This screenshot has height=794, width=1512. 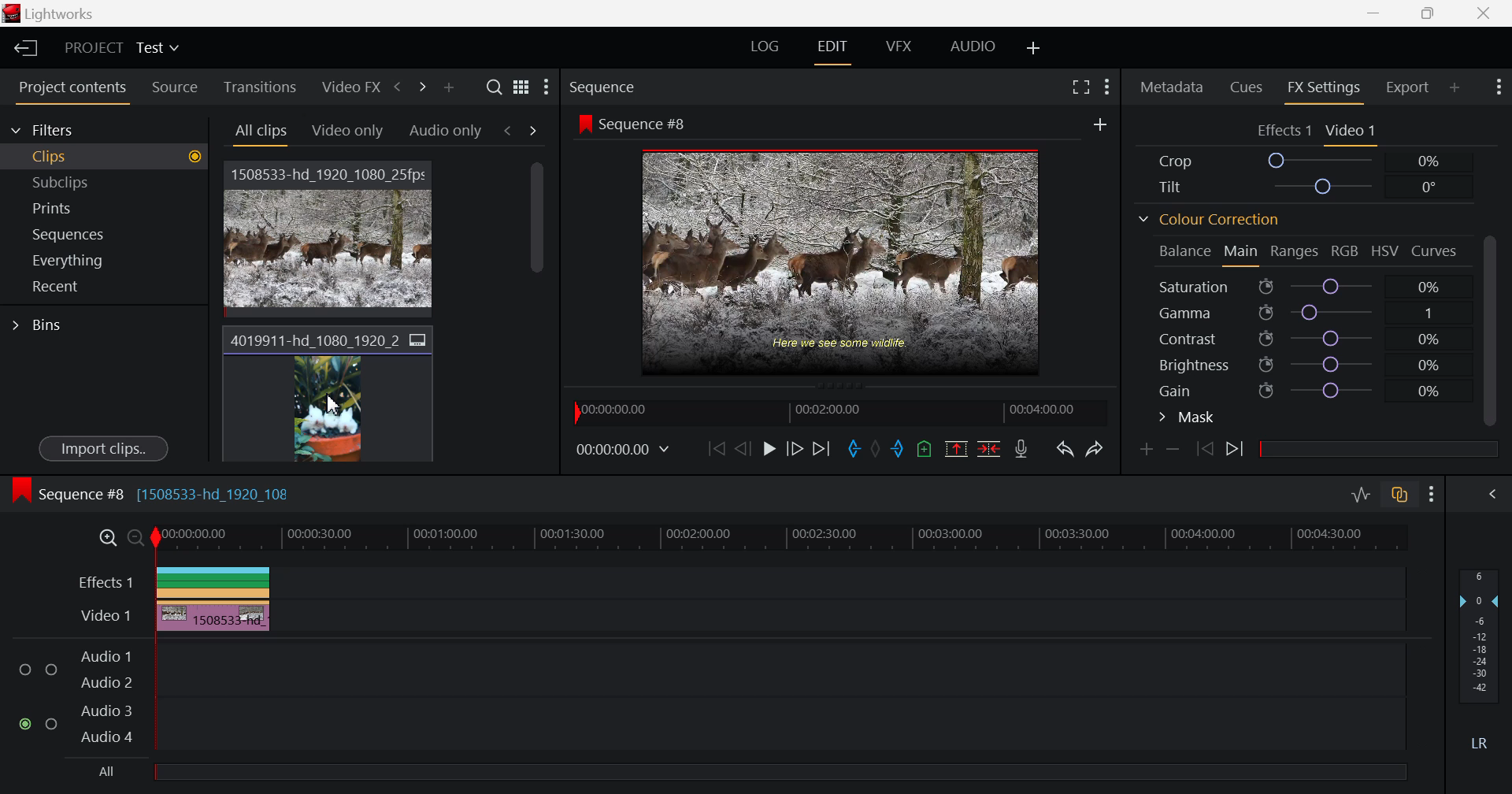 What do you see at coordinates (1452, 88) in the screenshot?
I see `Add Panel` at bounding box center [1452, 88].